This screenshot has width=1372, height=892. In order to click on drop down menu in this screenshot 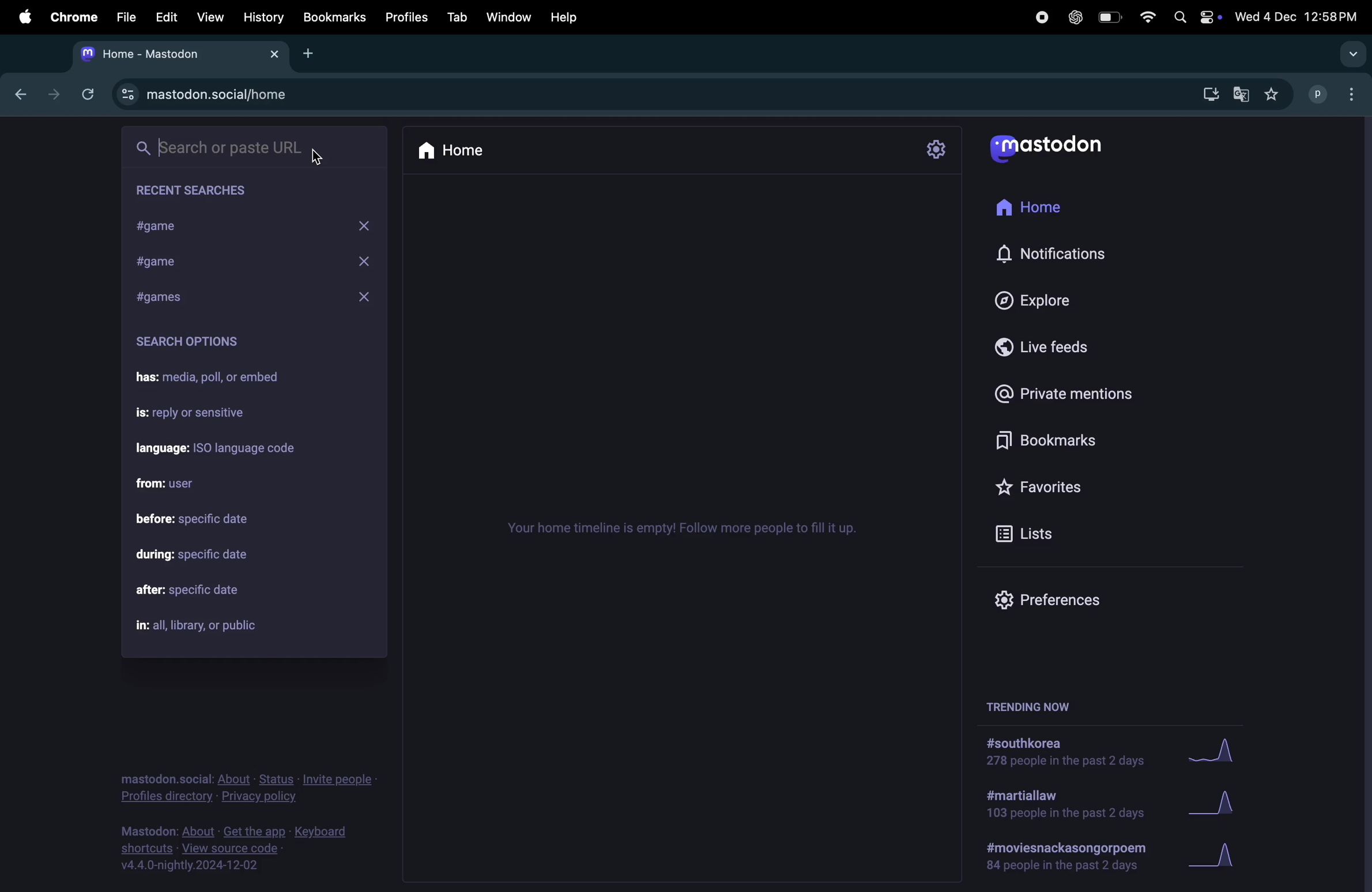, I will do `click(1348, 52)`.